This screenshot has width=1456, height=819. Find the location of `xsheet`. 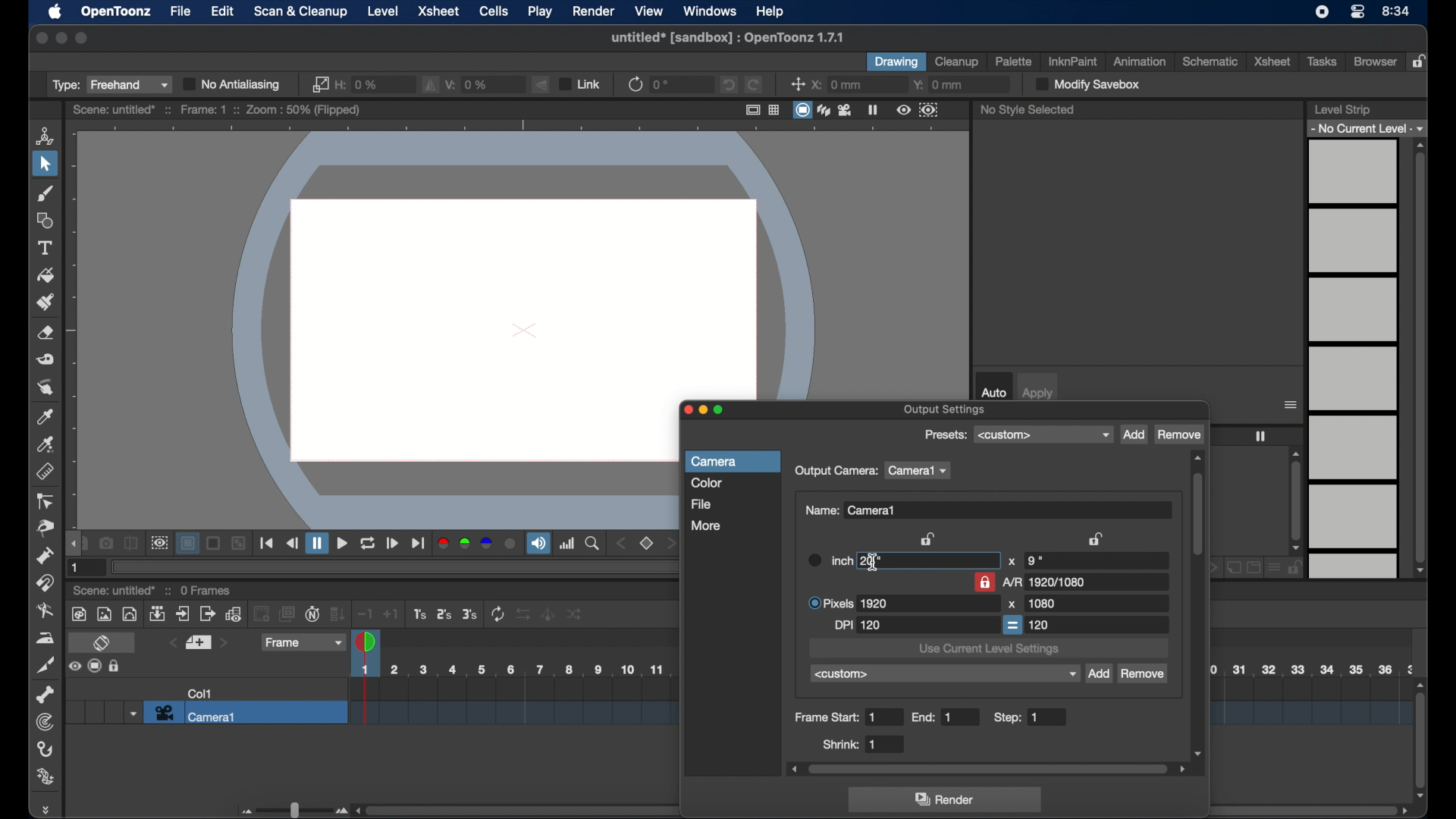

xsheet is located at coordinates (438, 11).